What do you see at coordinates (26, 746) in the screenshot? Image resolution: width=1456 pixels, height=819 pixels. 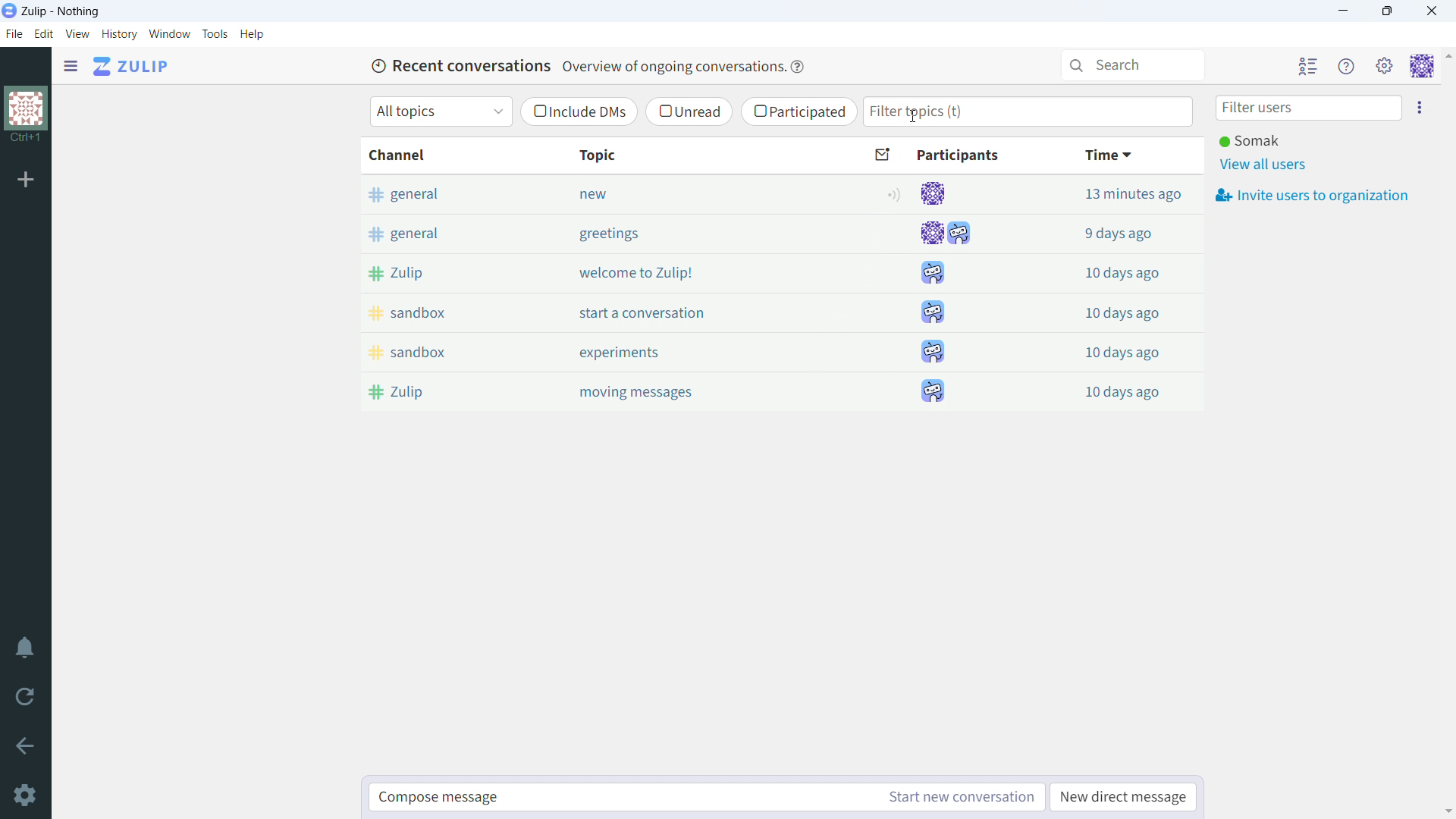 I see `go back` at bounding box center [26, 746].